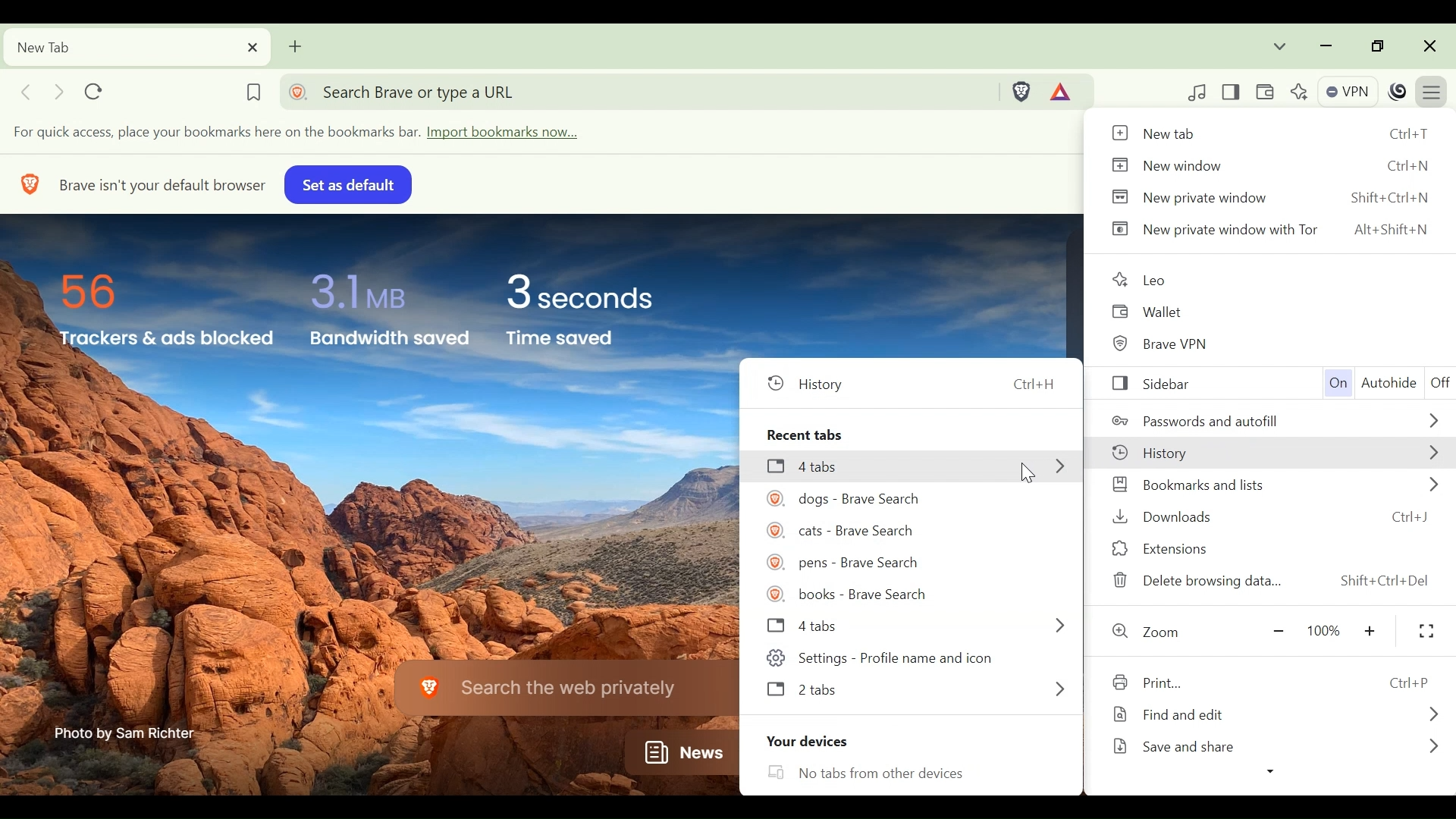 This screenshot has width=1456, height=819. What do you see at coordinates (850, 595) in the screenshot?
I see `(@ books - Brave Search` at bounding box center [850, 595].